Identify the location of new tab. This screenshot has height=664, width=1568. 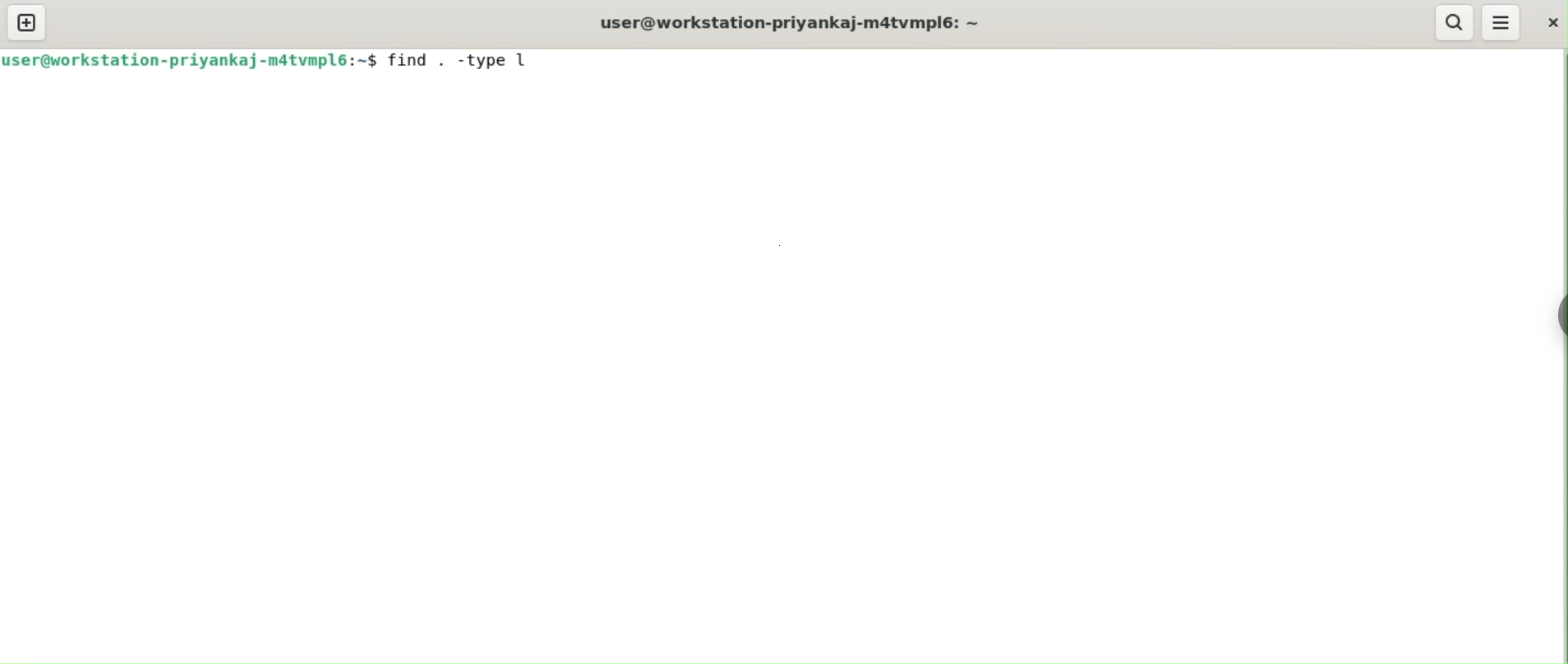
(28, 21).